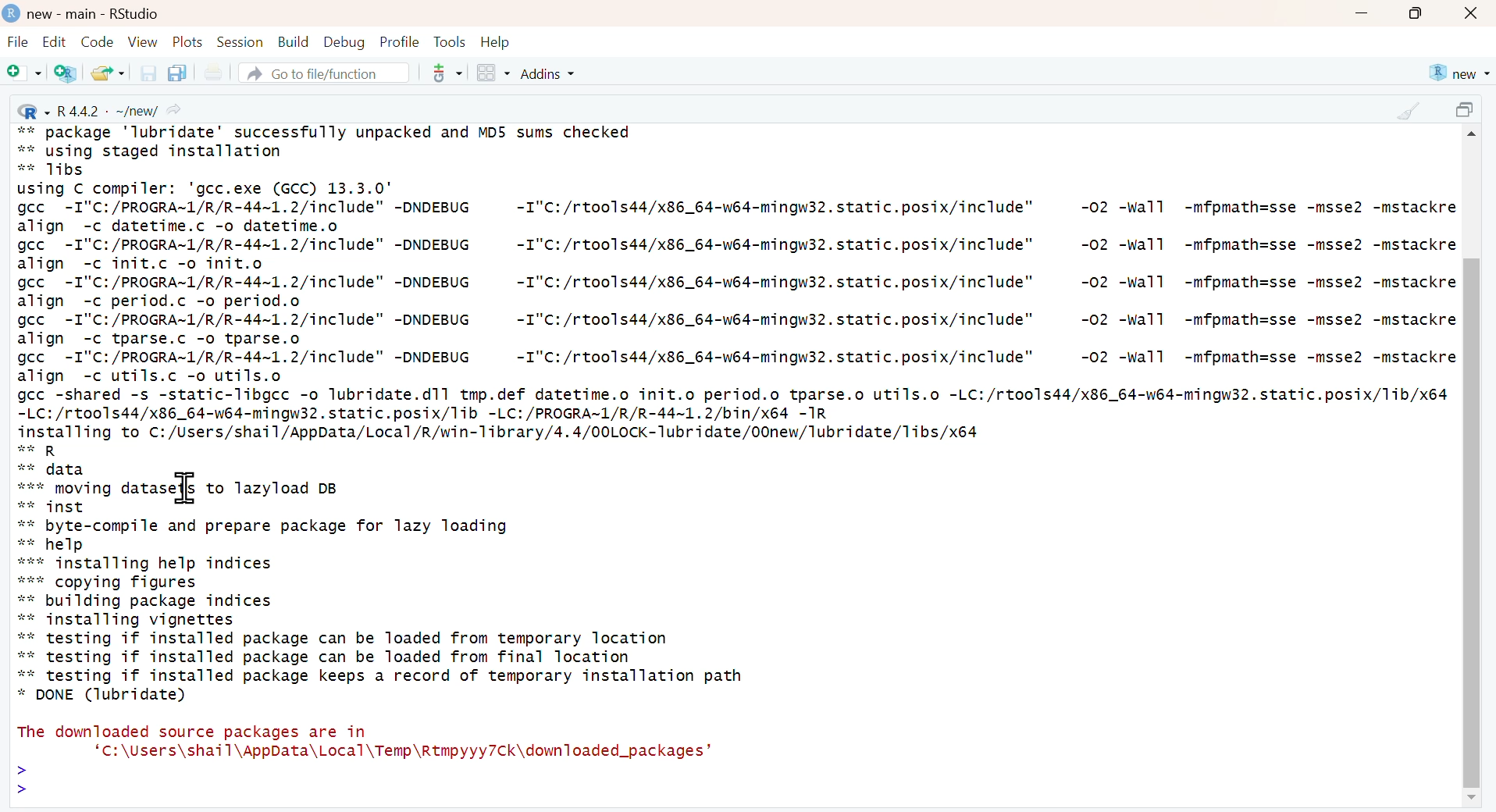  Describe the element at coordinates (159, 151) in the screenshot. I see `** using staged installation` at that location.